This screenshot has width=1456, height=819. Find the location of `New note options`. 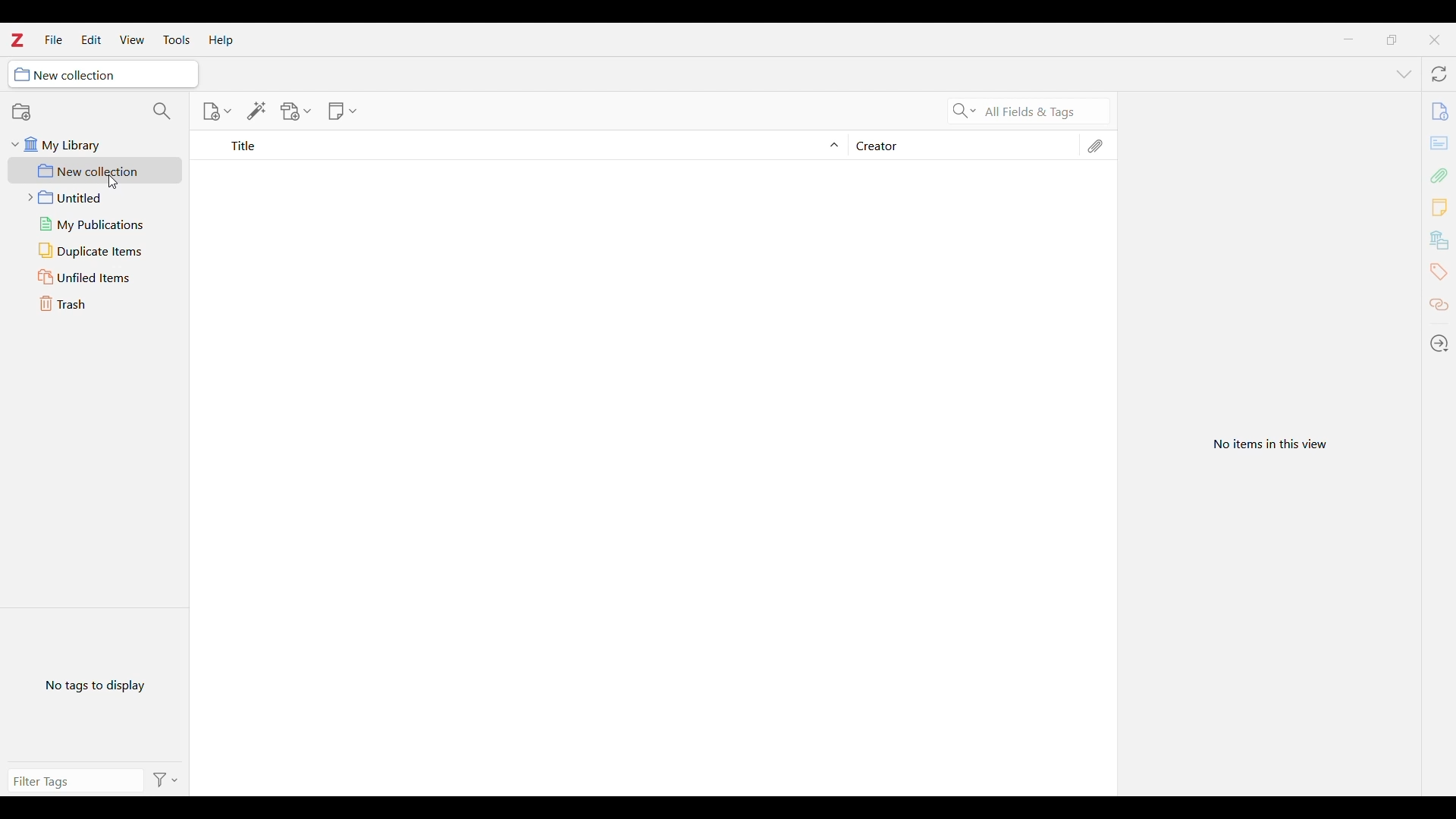

New note options is located at coordinates (342, 111).